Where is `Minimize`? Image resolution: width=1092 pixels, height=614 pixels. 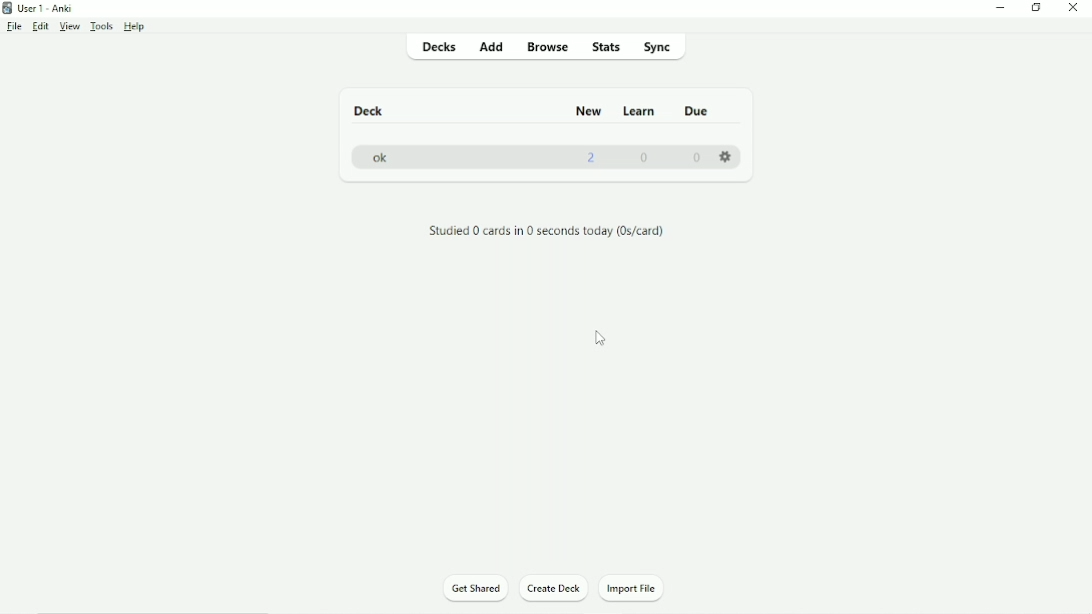
Minimize is located at coordinates (1001, 8).